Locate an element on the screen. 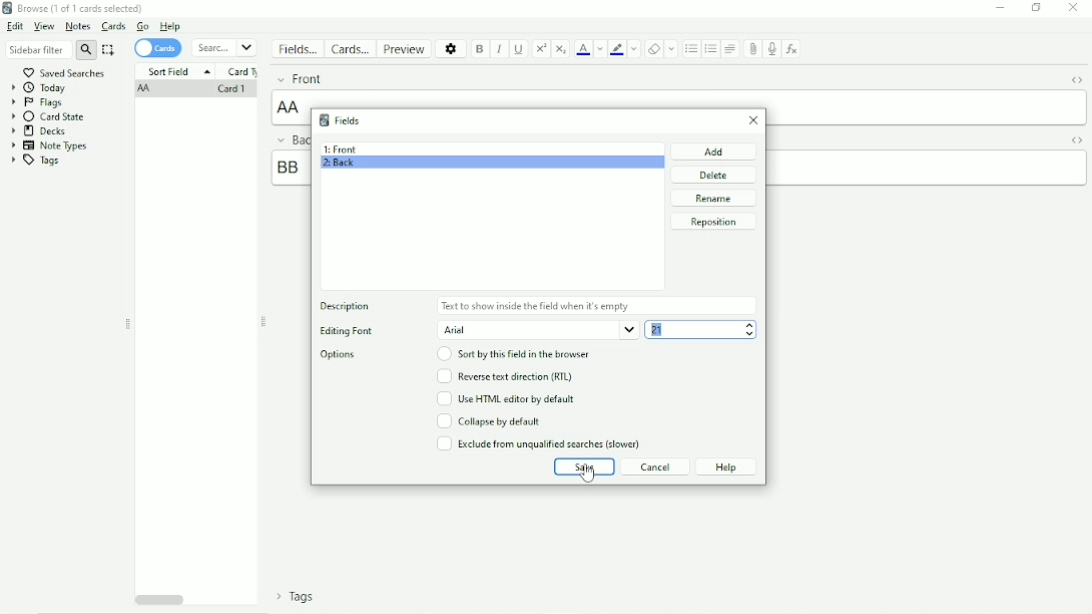 The image size is (1092, 614). Select is located at coordinates (109, 50).